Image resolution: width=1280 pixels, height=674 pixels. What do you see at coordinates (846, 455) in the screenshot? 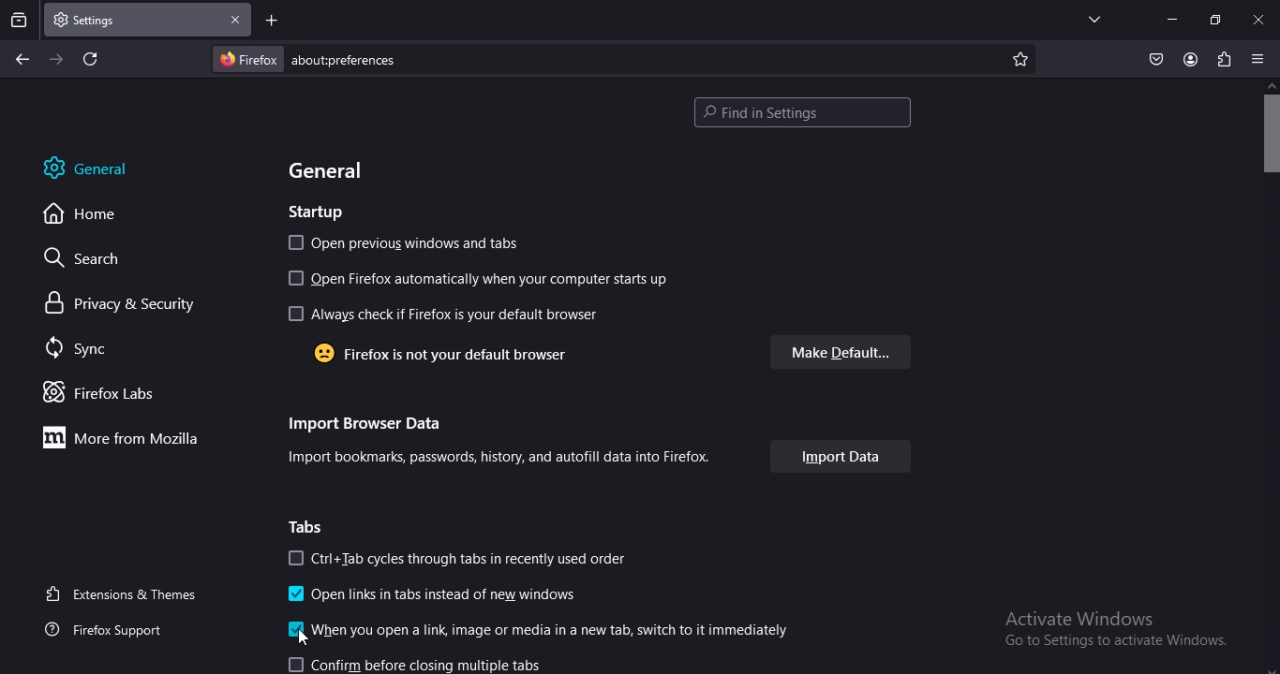
I see `import data` at bounding box center [846, 455].